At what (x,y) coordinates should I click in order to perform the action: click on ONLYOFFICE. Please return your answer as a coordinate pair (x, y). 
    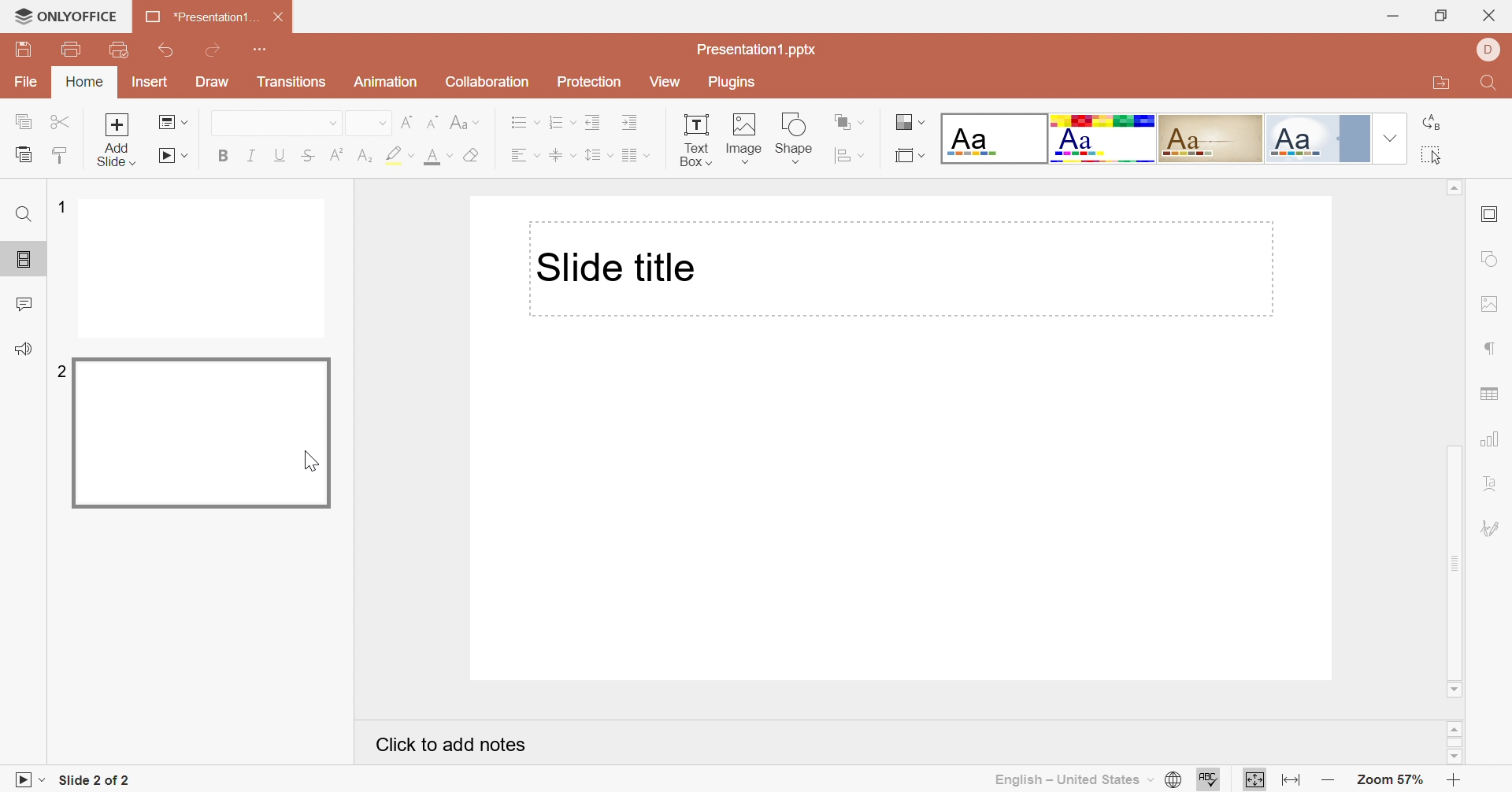
    Looking at the image, I should click on (69, 14).